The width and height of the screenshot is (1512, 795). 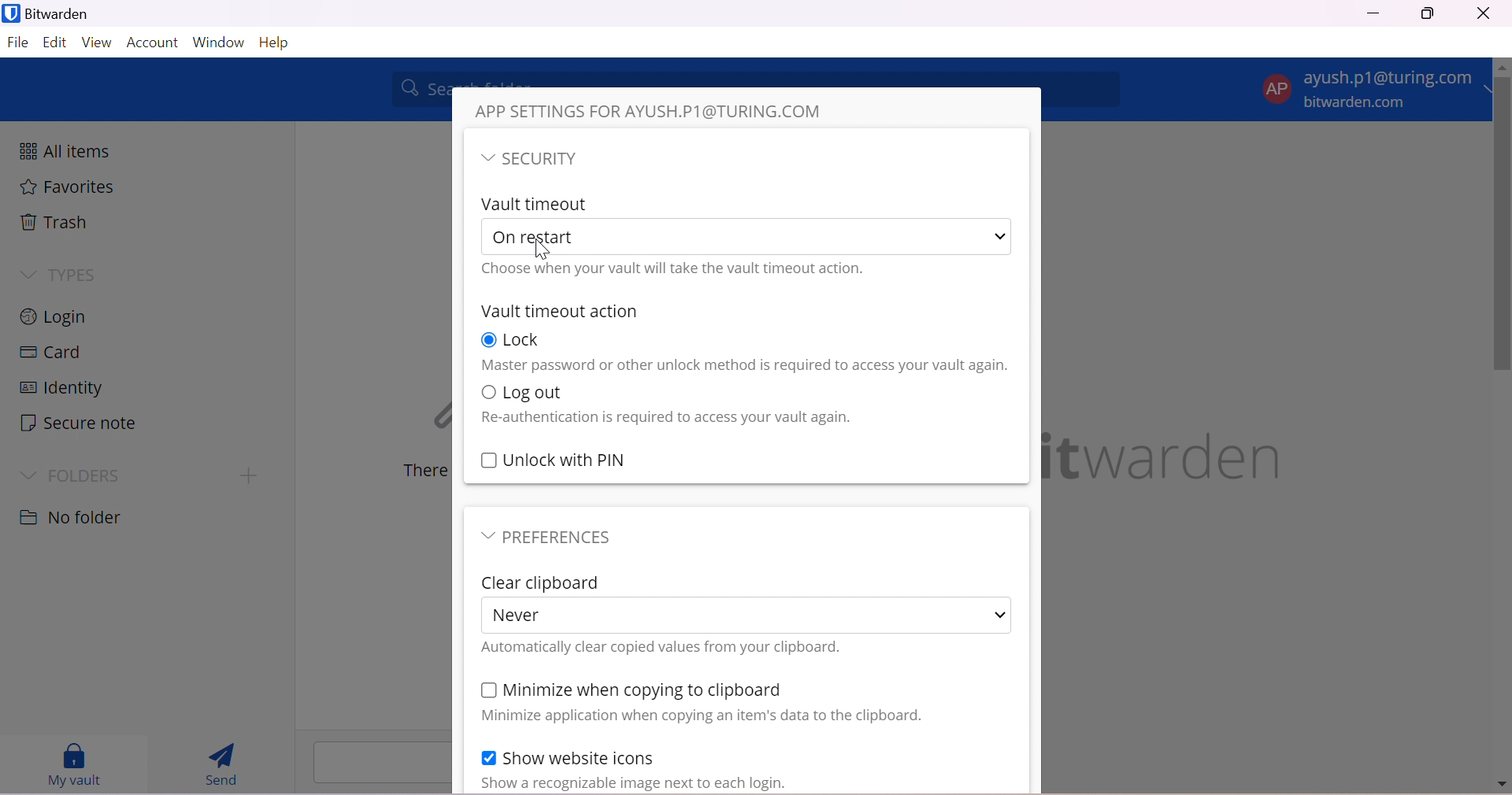 What do you see at coordinates (54, 221) in the screenshot?
I see `Trash` at bounding box center [54, 221].